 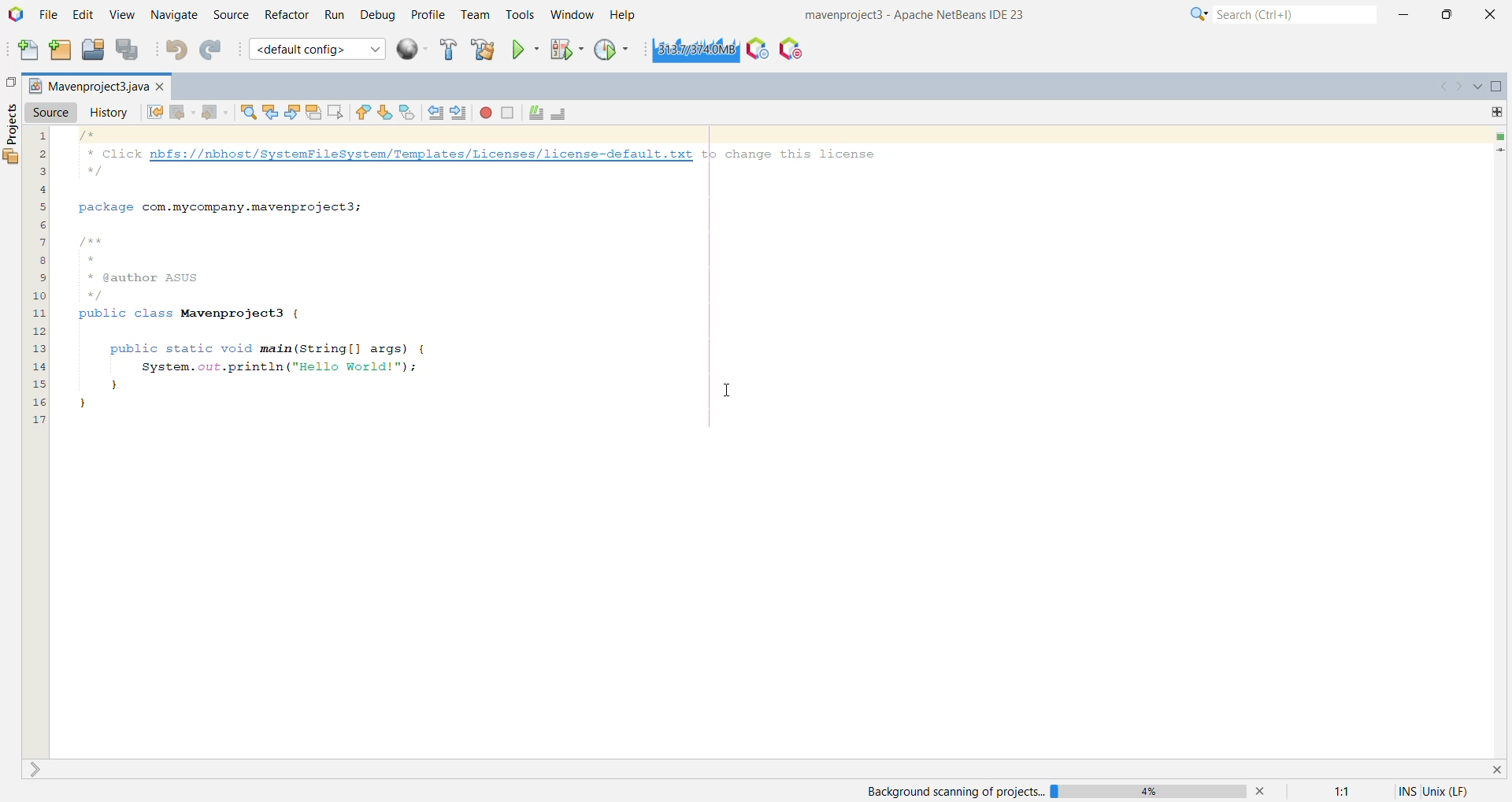 I want to click on Close, so click(x=1495, y=770).